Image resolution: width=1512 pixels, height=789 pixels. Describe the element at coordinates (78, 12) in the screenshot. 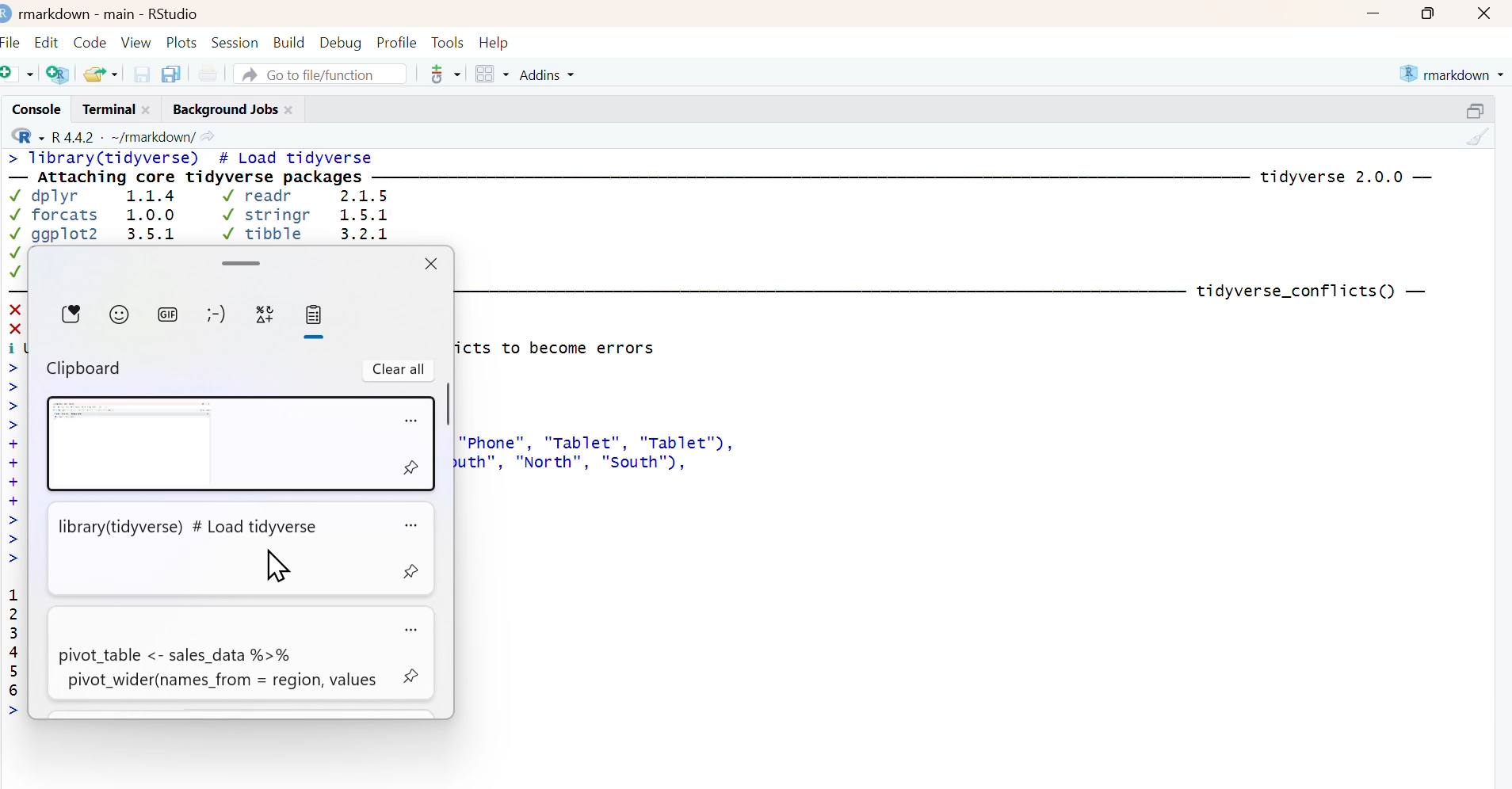

I see `markdown - main -` at that location.